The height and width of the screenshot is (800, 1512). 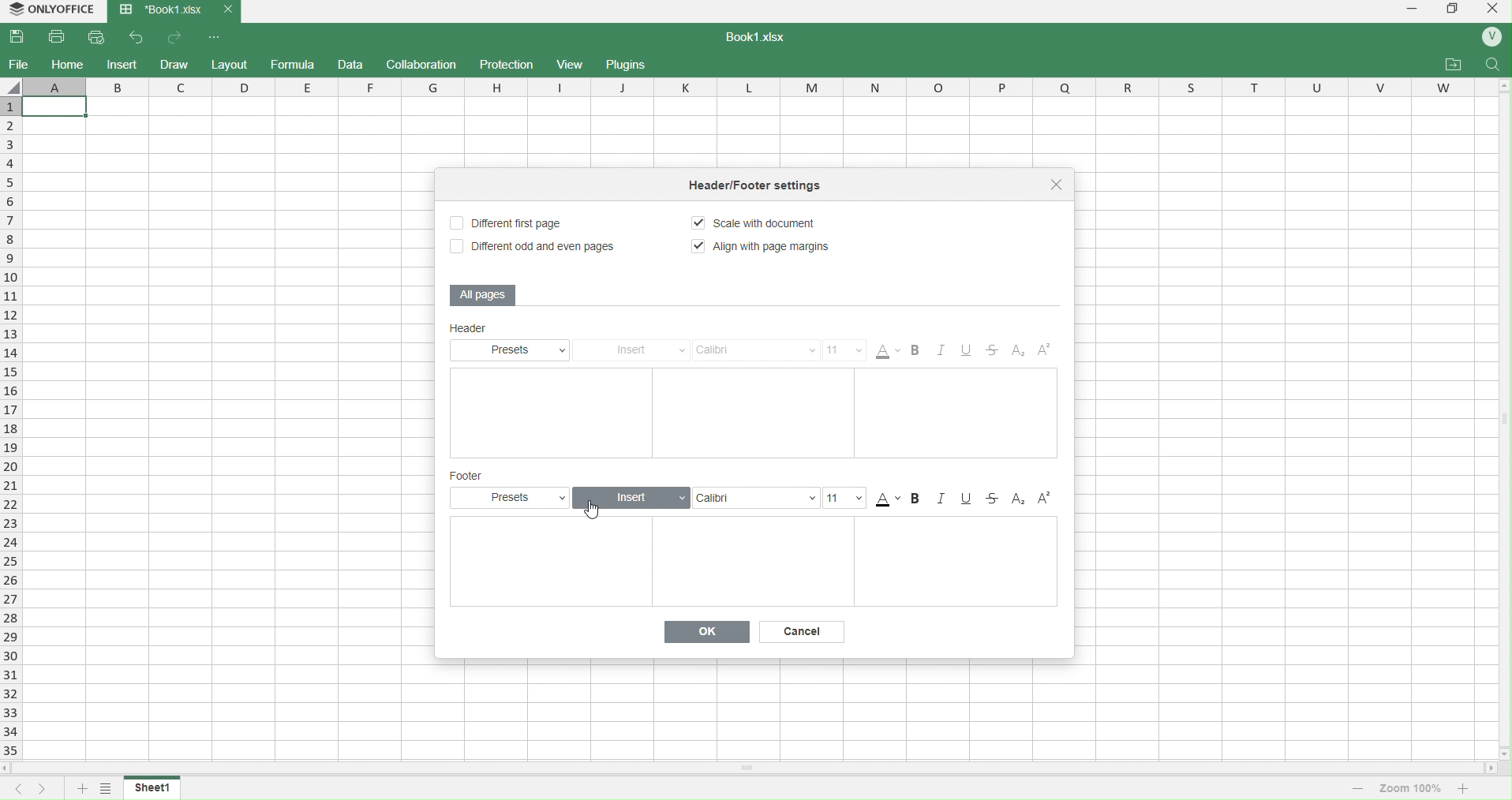 What do you see at coordinates (177, 37) in the screenshot?
I see `forward` at bounding box center [177, 37].